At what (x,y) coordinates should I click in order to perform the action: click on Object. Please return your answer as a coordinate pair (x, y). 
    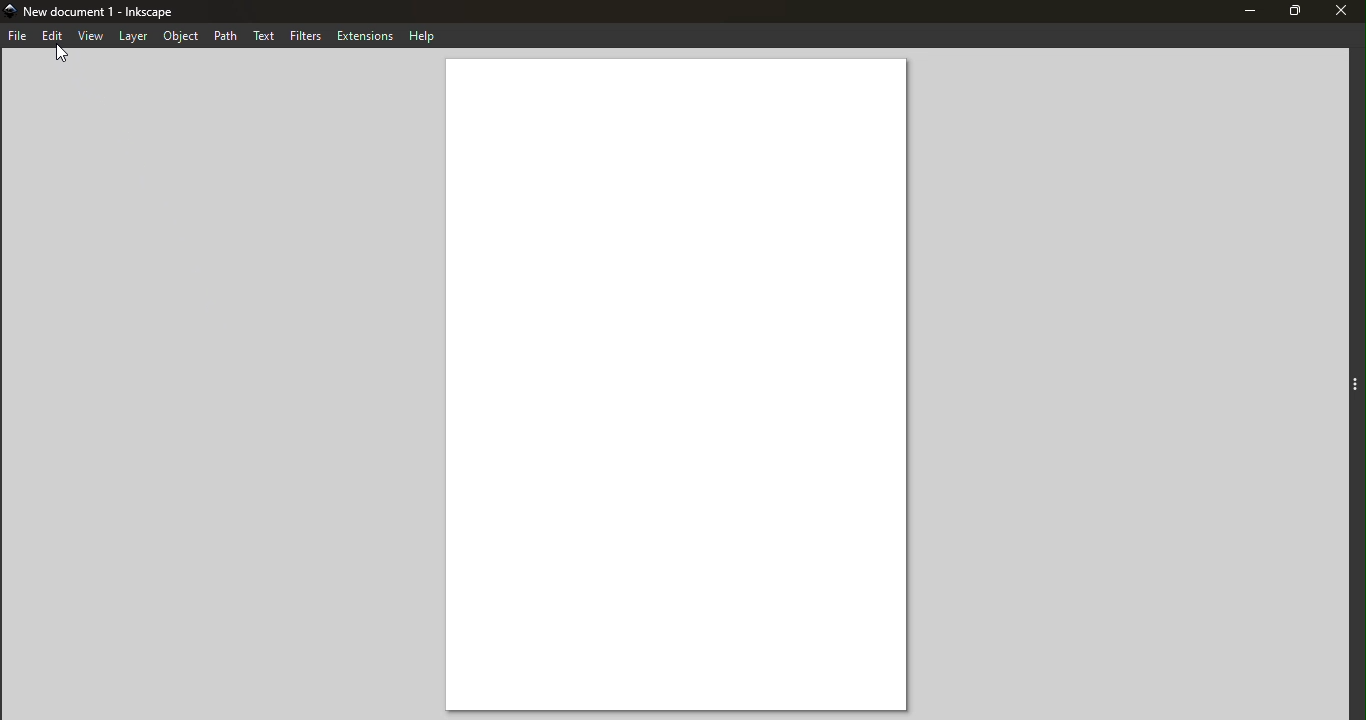
    Looking at the image, I should click on (183, 37).